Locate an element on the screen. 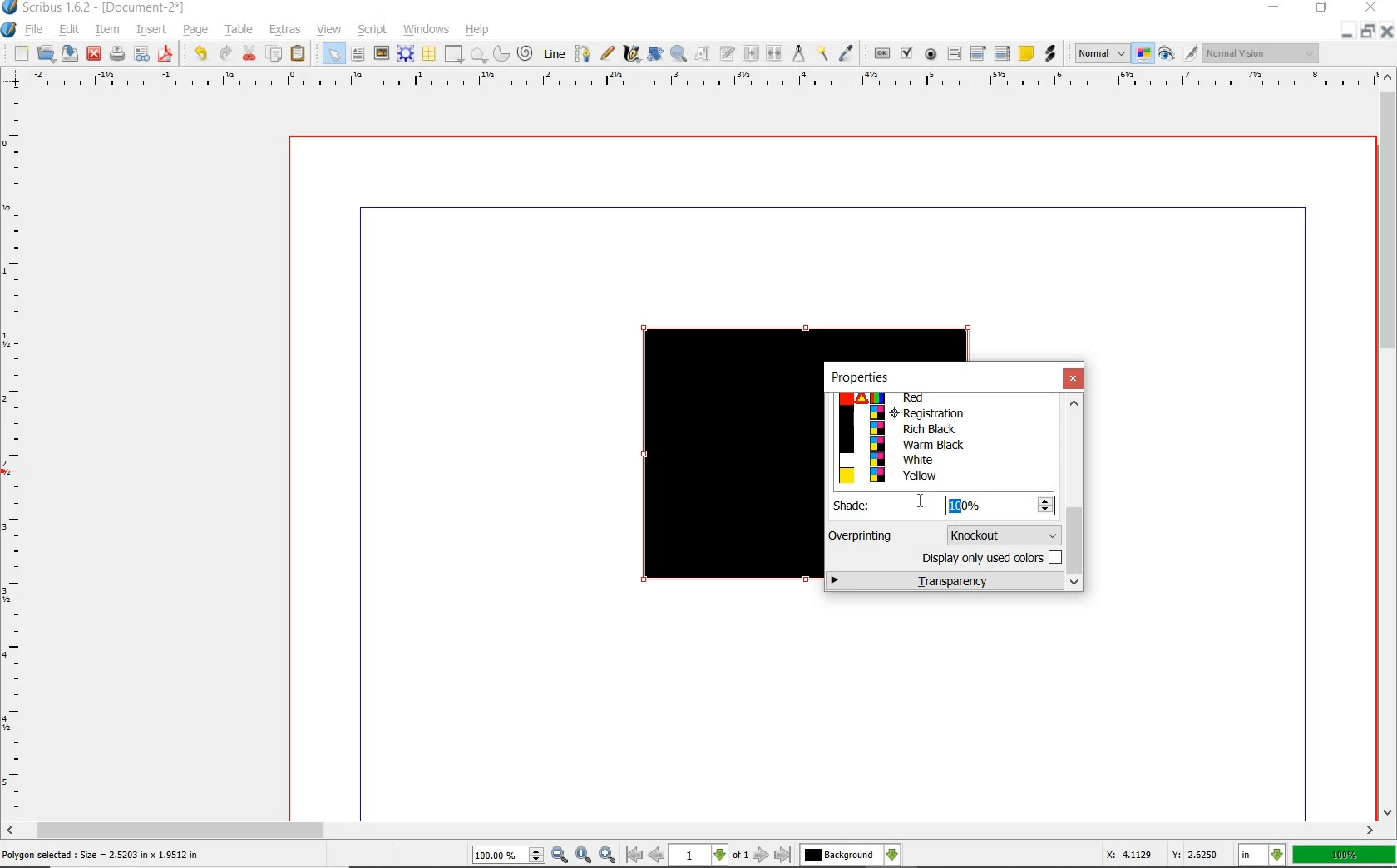 Image resolution: width=1397 pixels, height=868 pixels. file is located at coordinates (35, 32).